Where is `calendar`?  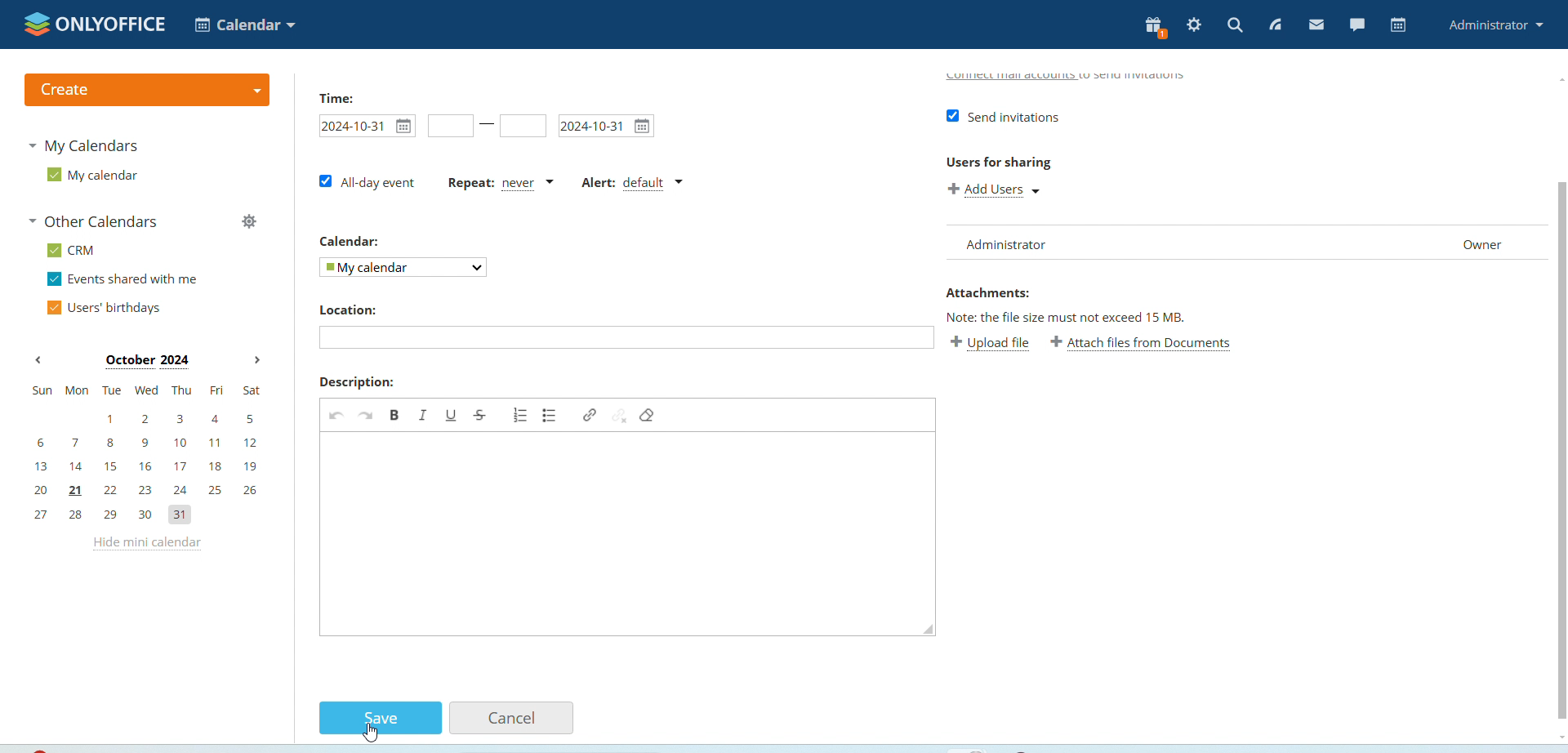
calendar is located at coordinates (1400, 25).